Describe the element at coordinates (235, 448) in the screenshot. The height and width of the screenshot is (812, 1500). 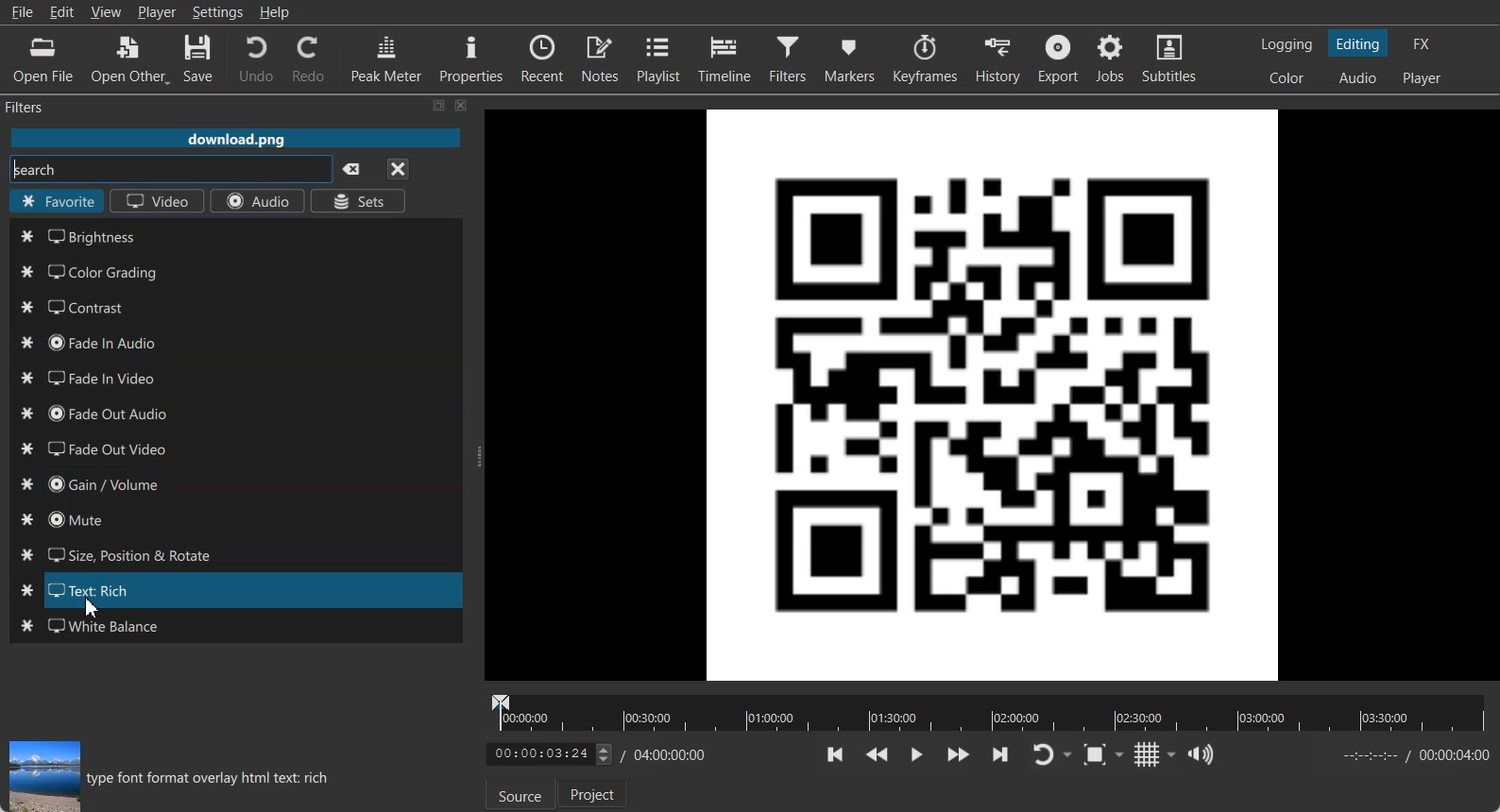
I see `Fade Out Video` at that location.